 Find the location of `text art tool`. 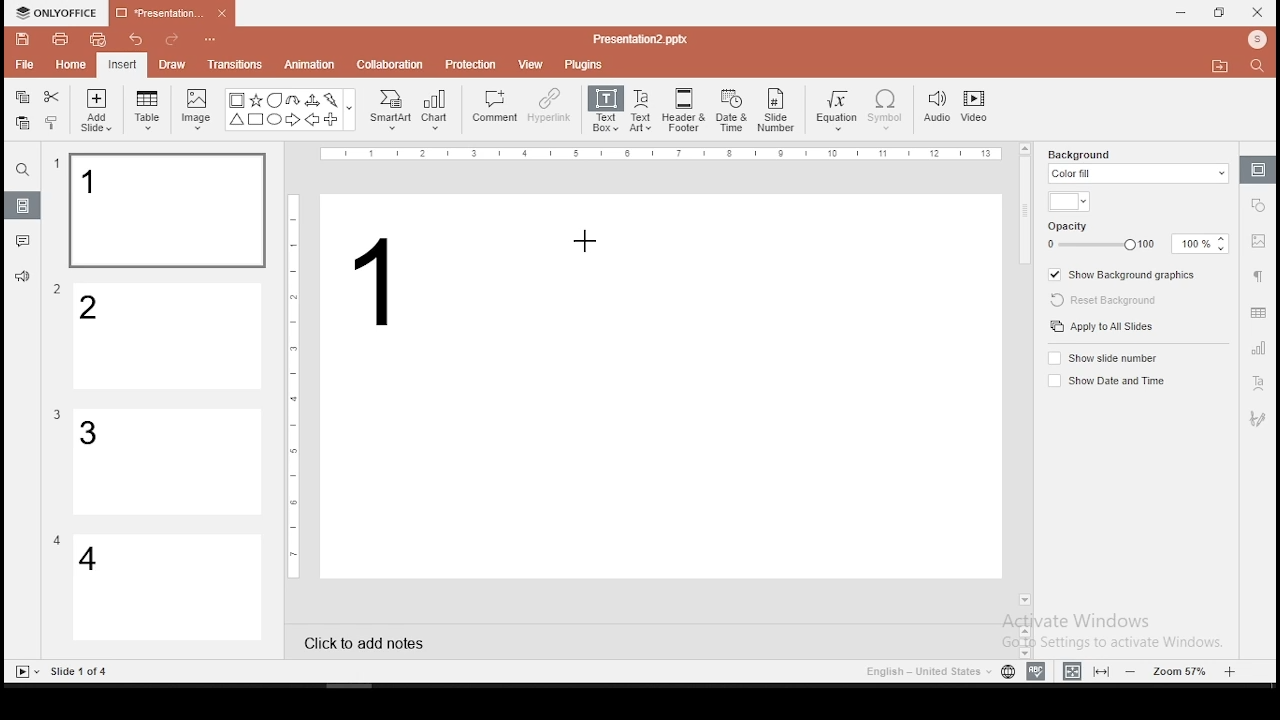

text art tool is located at coordinates (1257, 384).